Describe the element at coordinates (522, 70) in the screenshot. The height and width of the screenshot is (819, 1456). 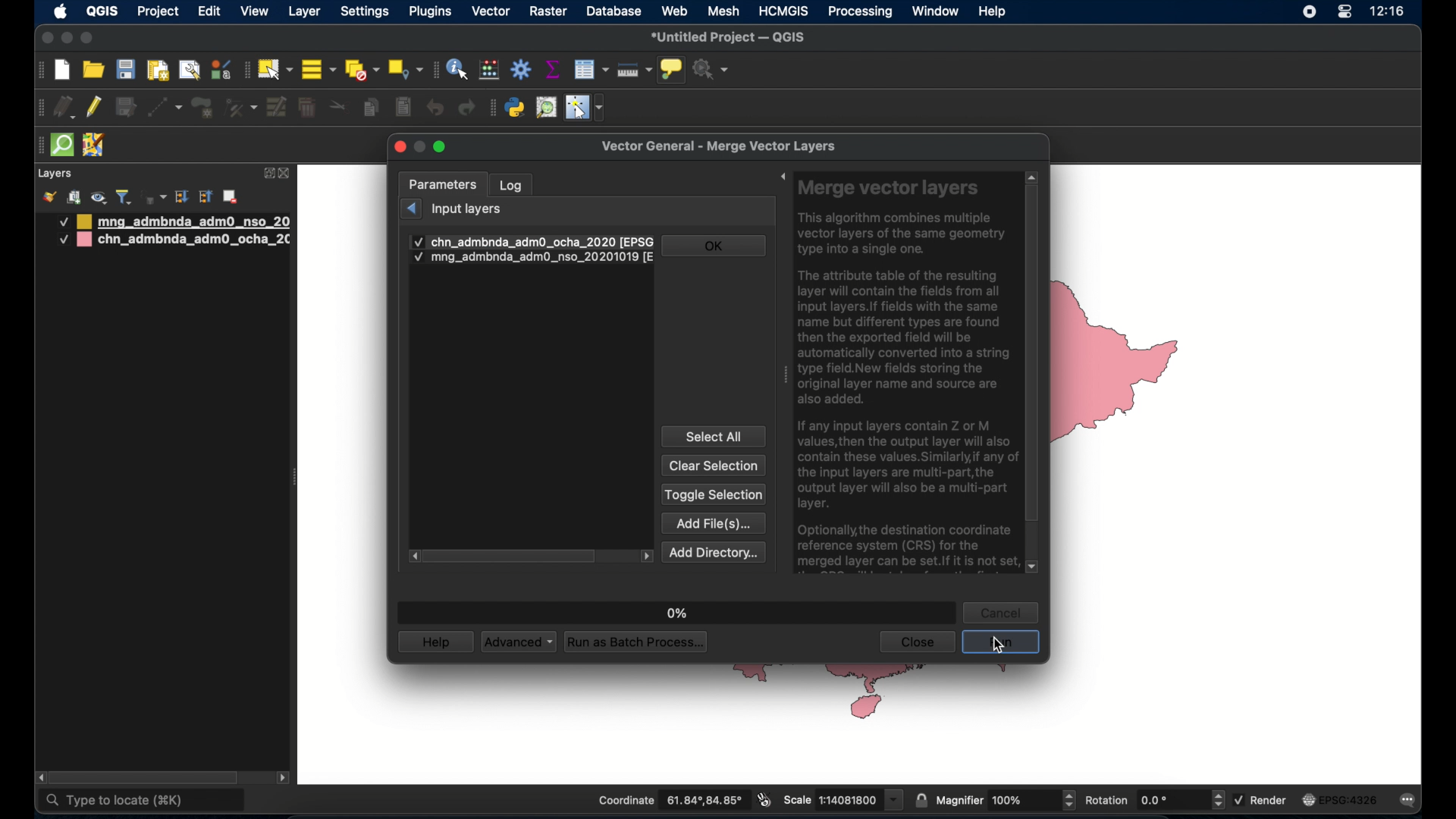
I see `toolbox` at that location.